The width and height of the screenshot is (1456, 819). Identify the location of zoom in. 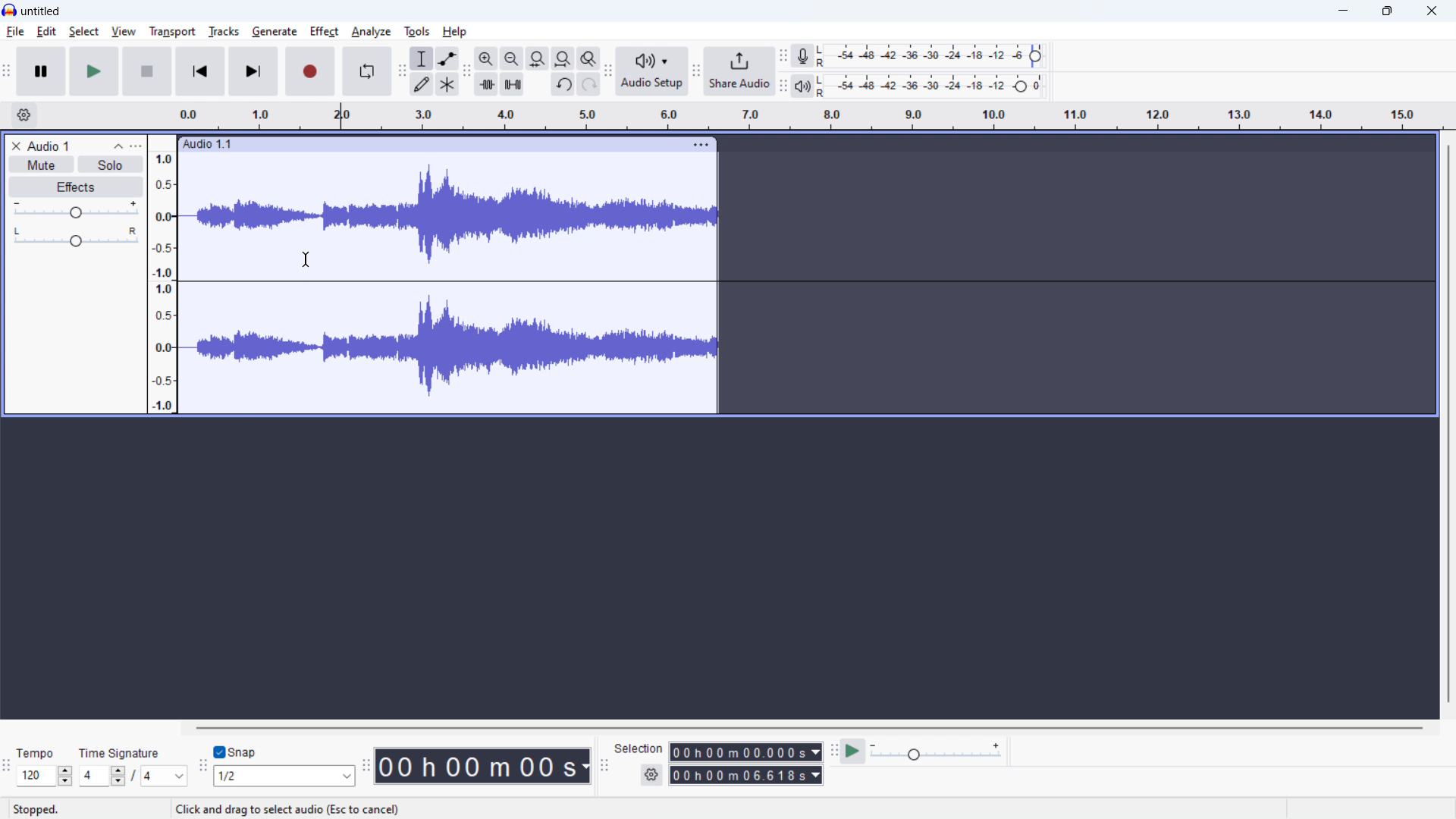
(486, 58).